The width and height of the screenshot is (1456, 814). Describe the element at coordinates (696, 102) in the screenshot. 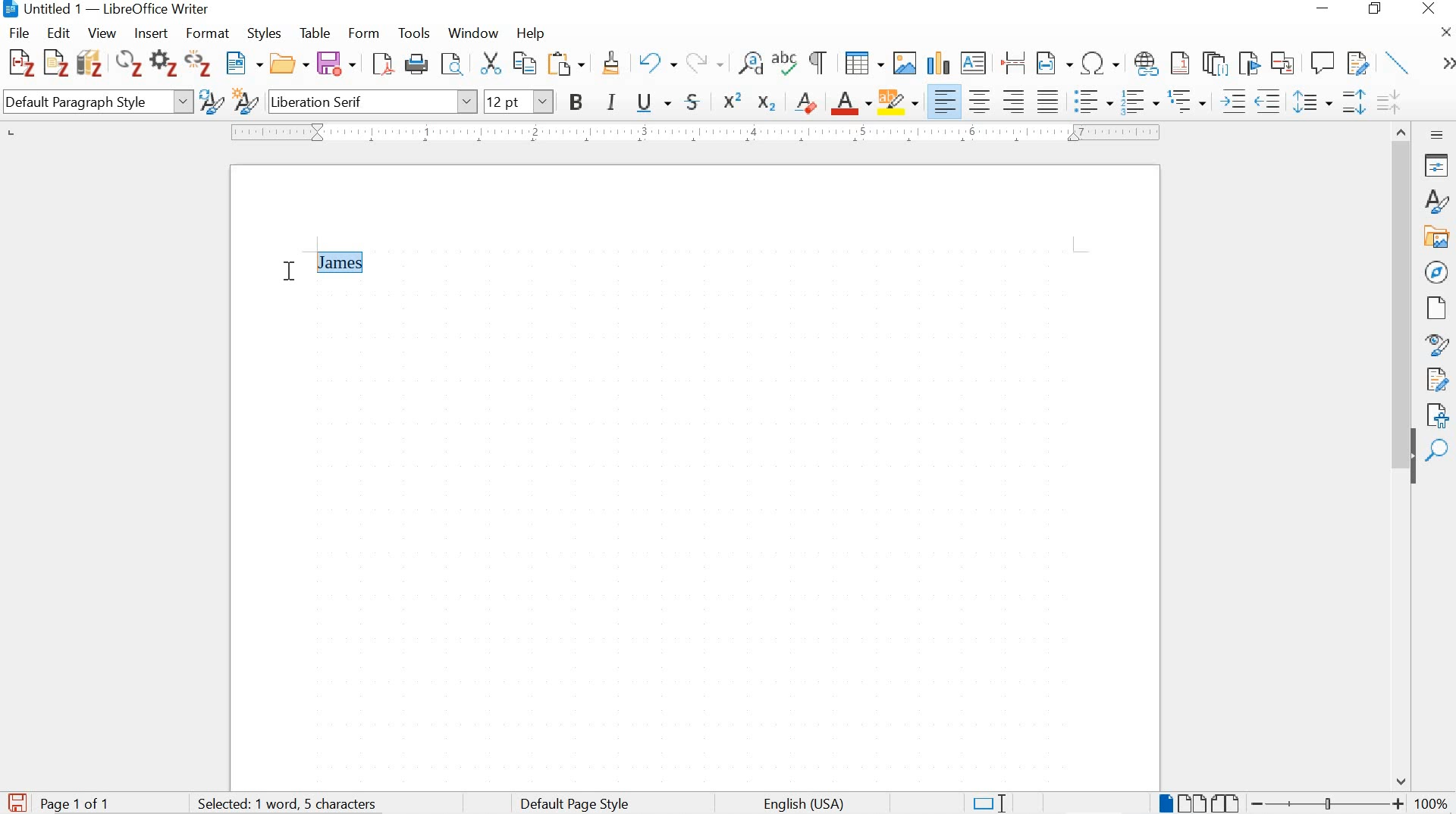

I see `strikethrough` at that location.